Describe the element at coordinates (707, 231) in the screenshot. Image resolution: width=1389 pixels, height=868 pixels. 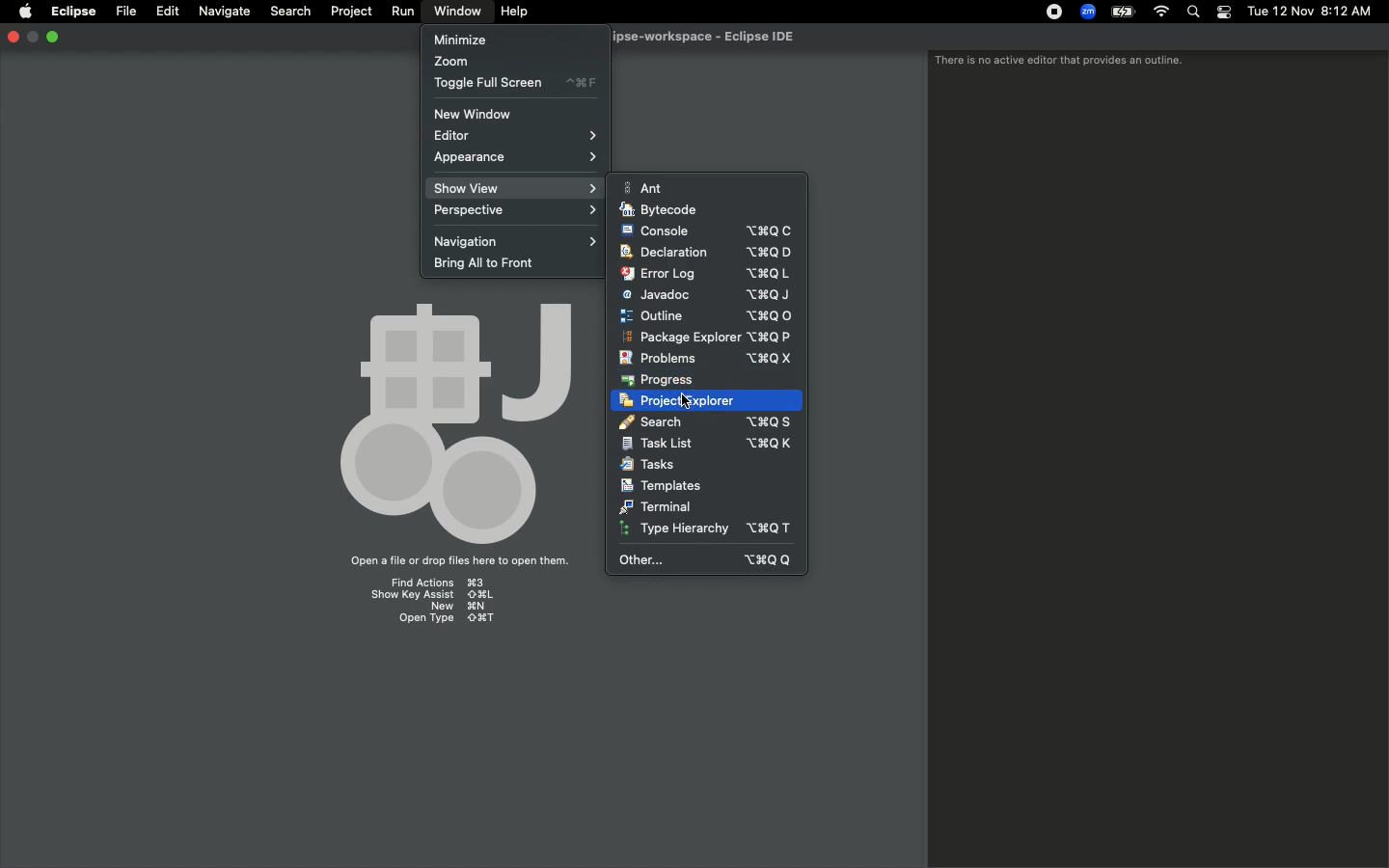
I see `Console` at that location.